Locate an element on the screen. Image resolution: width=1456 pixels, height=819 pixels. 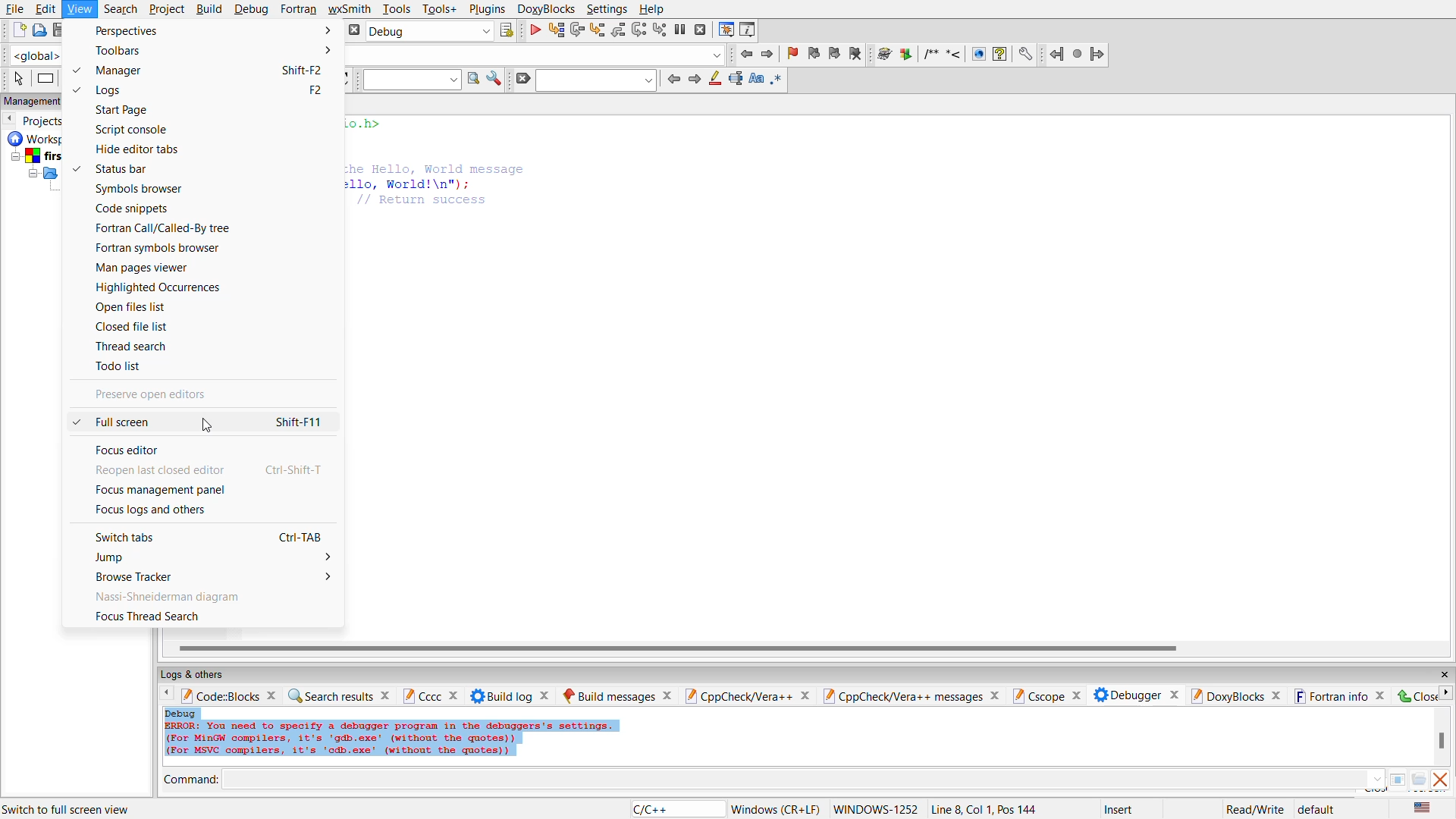
perspectives is located at coordinates (214, 30).